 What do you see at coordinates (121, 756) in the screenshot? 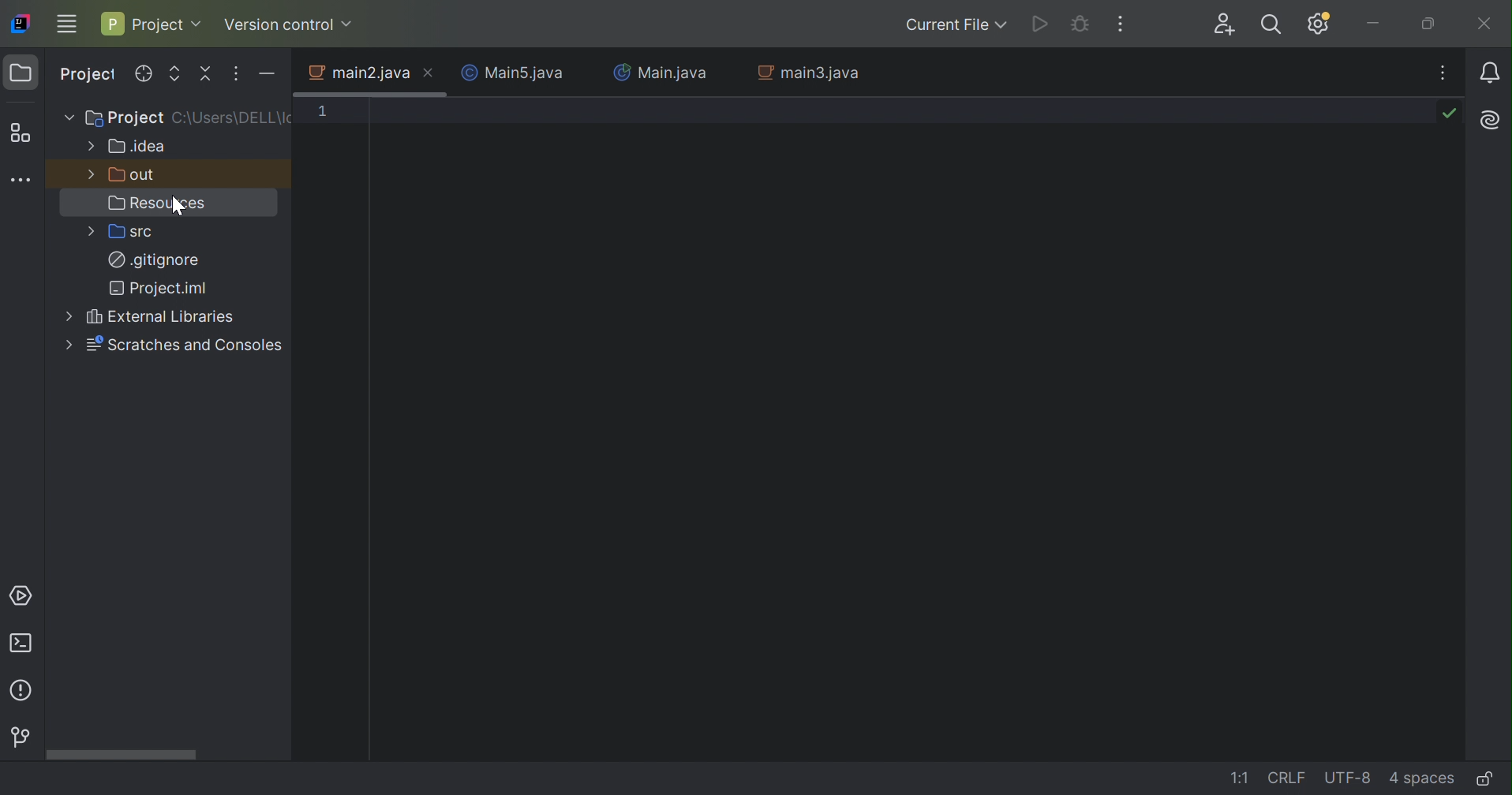
I see `Scroll bar` at bounding box center [121, 756].